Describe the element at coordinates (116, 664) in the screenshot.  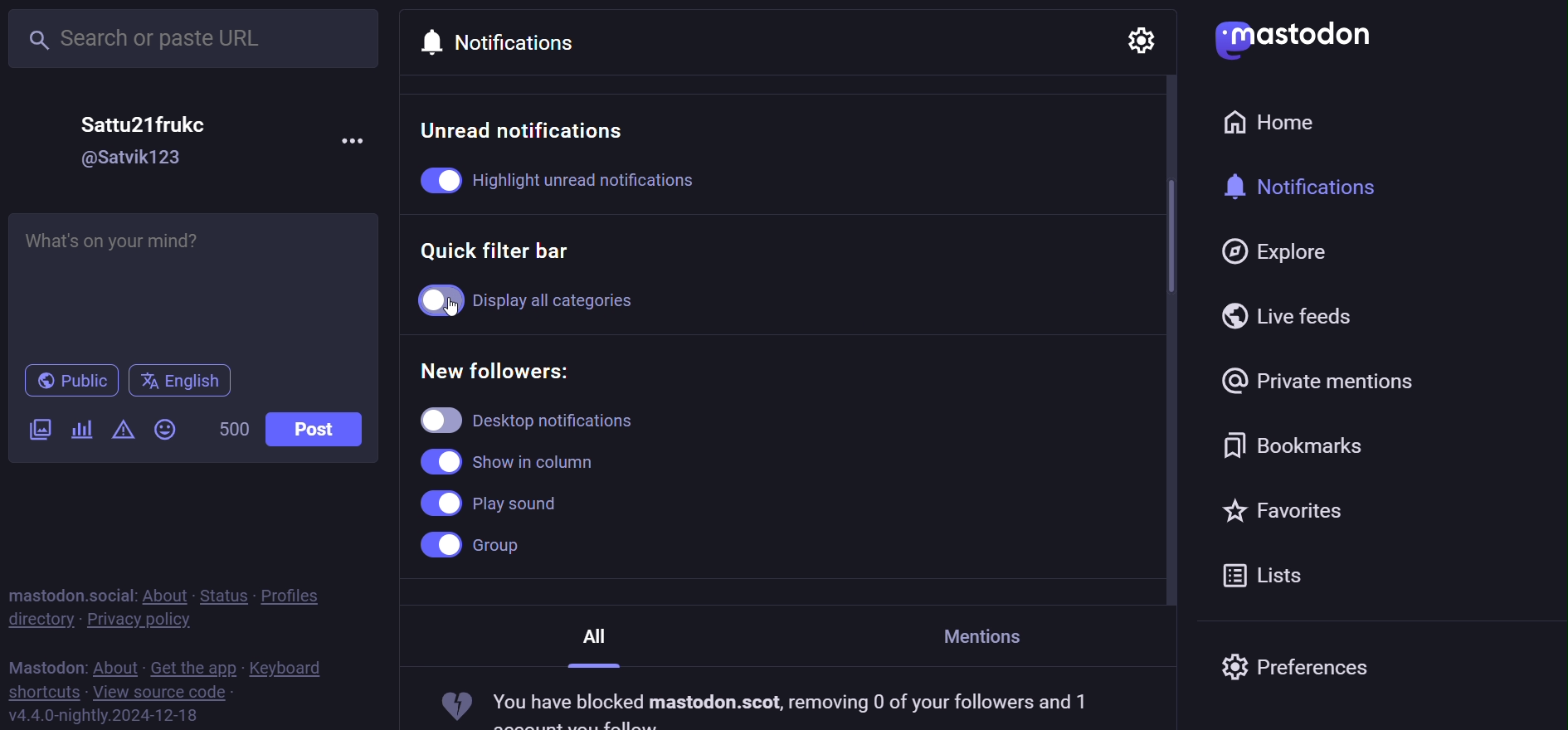
I see `about` at that location.